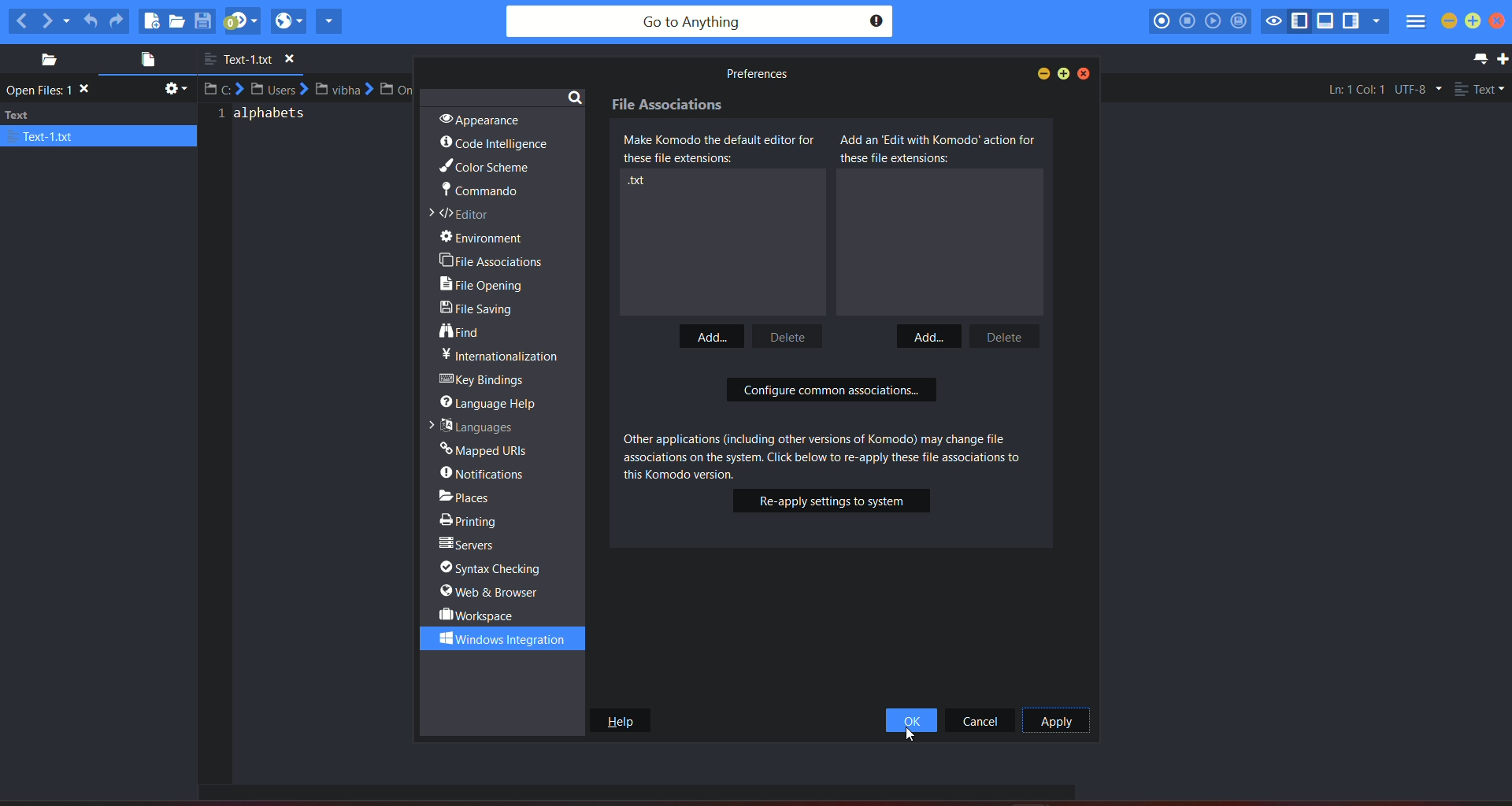 Image resolution: width=1512 pixels, height=806 pixels. What do you see at coordinates (311, 89) in the screenshot?
I see `file path` at bounding box center [311, 89].